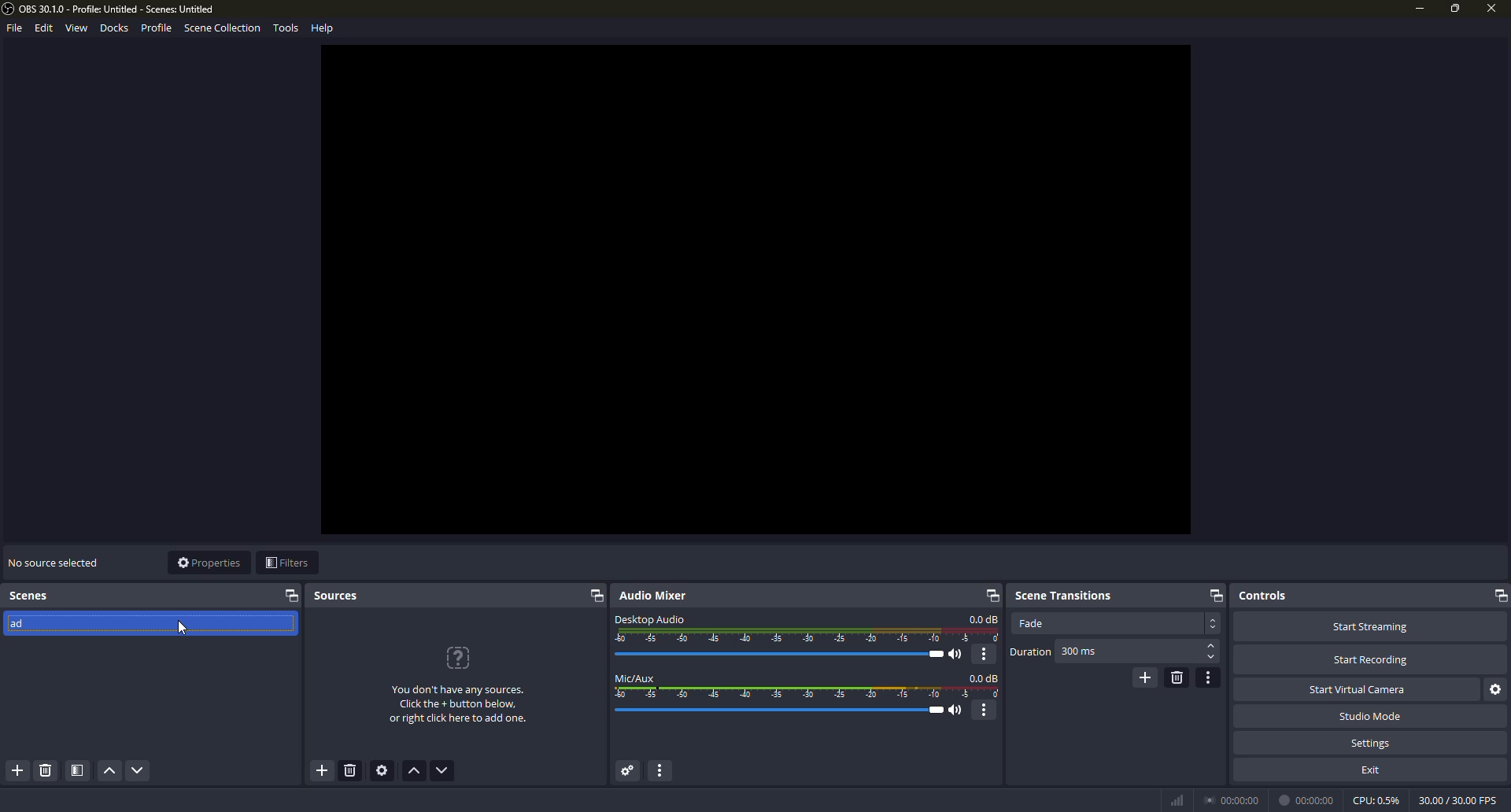  Describe the element at coordinates (1497, 689) in the screenshot. I see `configure virtual camera` at that location.